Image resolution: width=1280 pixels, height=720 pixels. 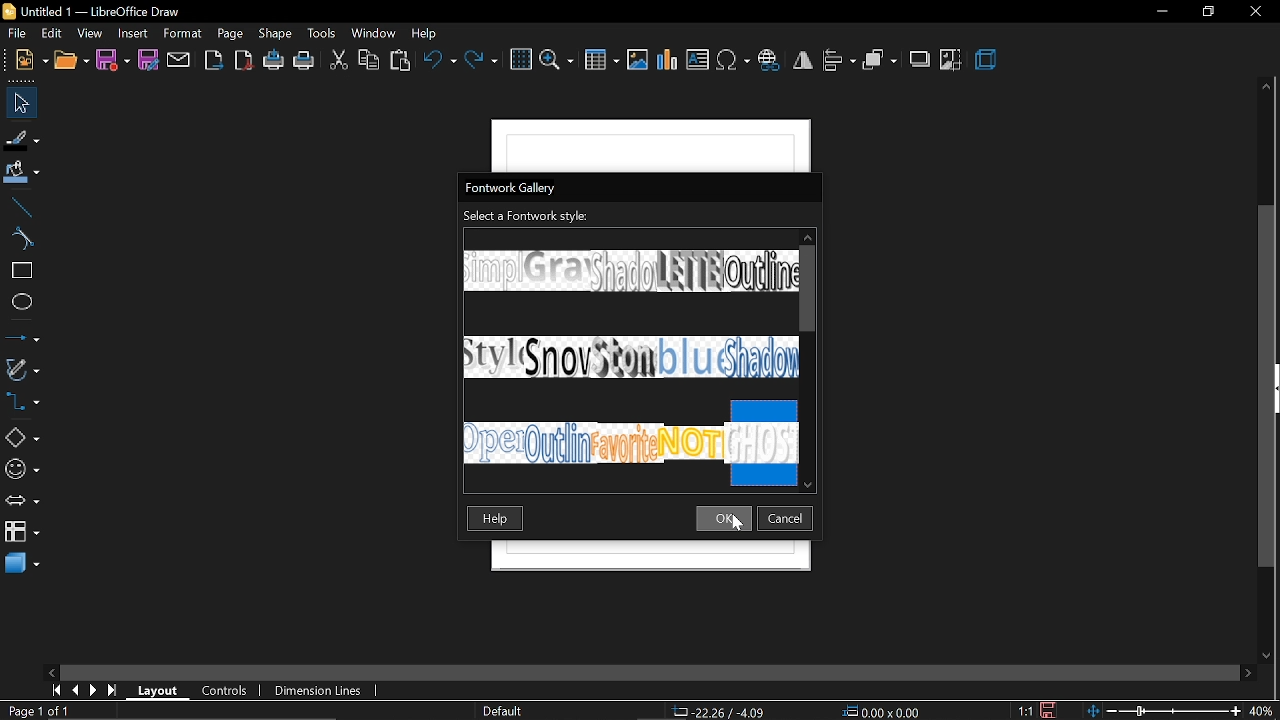 I want to click on curves and polygons, so click(x=22, y=368).